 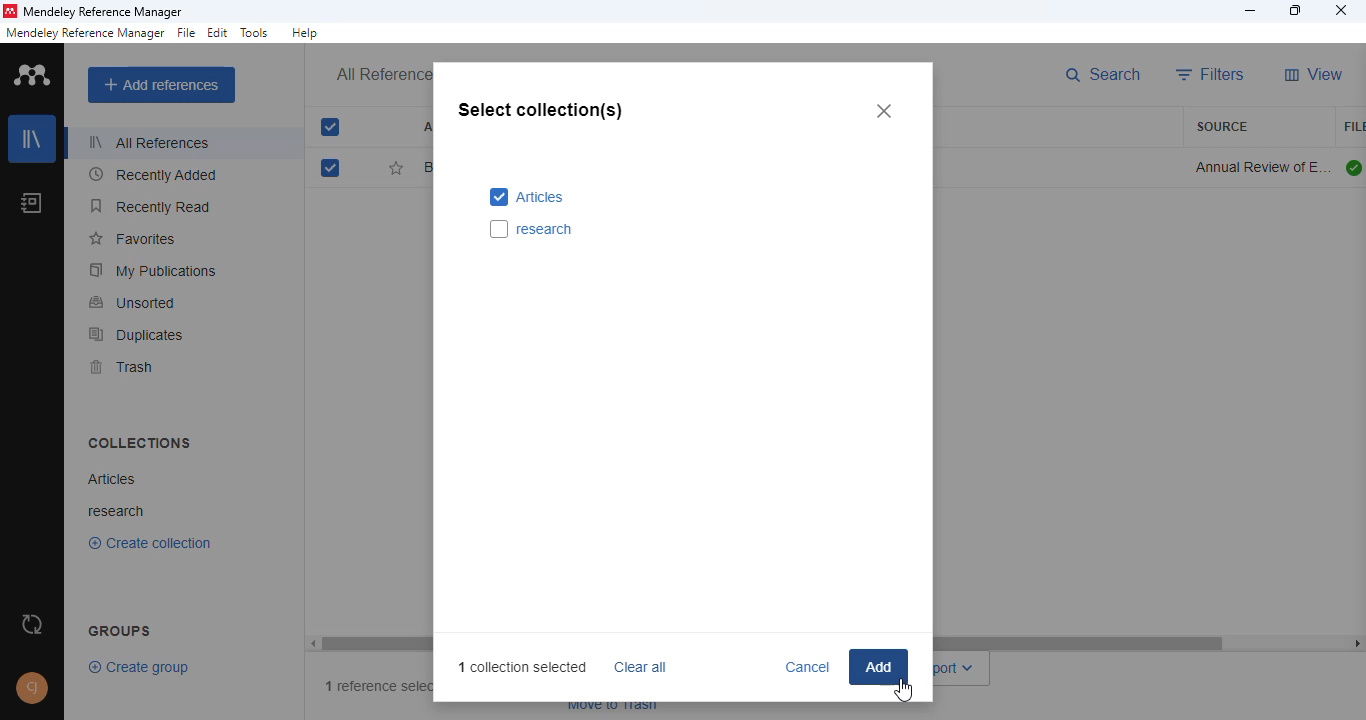 I want to click on research, so click(x=546, y=229).